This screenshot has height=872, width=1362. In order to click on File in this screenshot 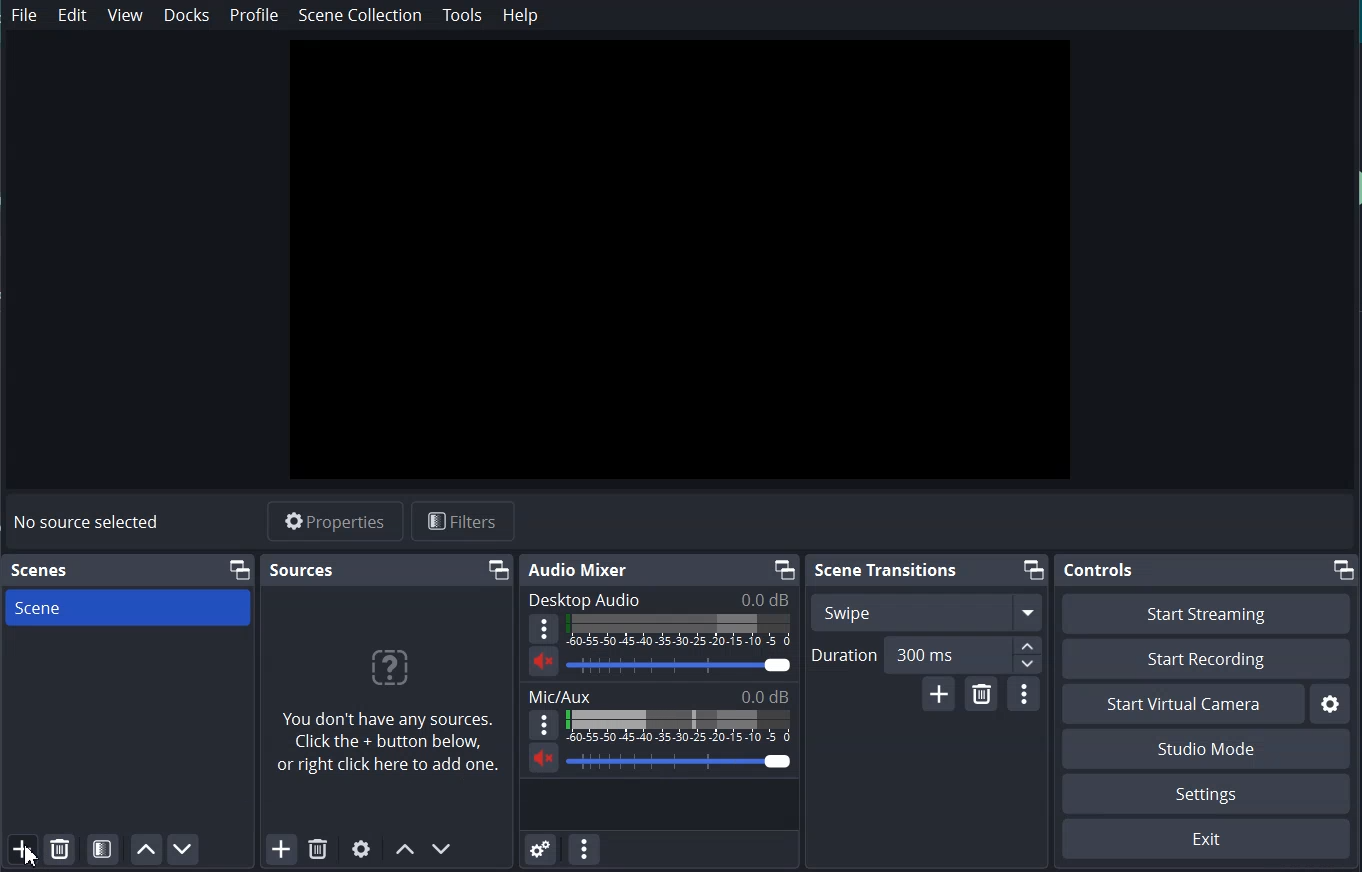, I will do `click(26, 16)`.